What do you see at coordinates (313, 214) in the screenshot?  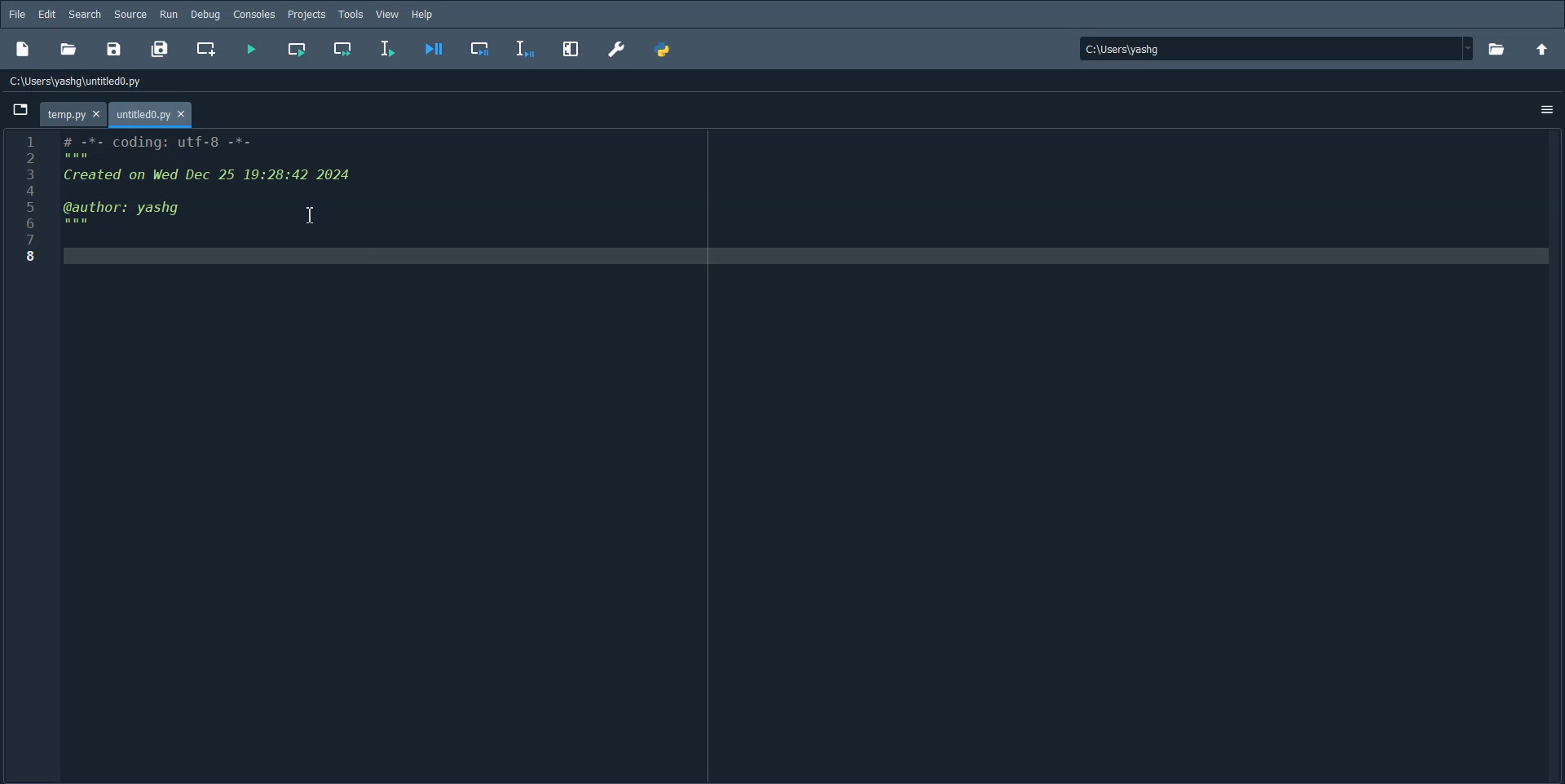 I see `Text Cursor` at bounding box center [313, 214].